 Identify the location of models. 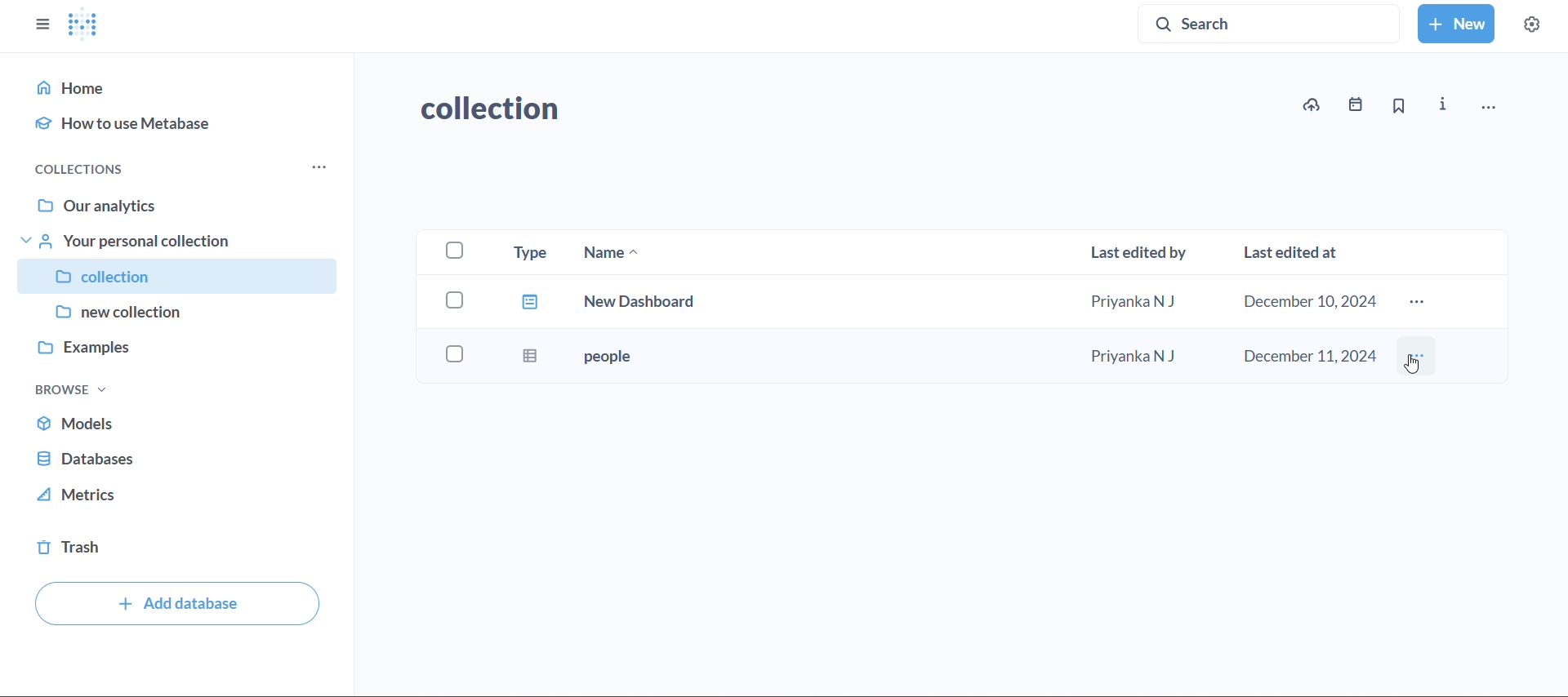
(183, 422).